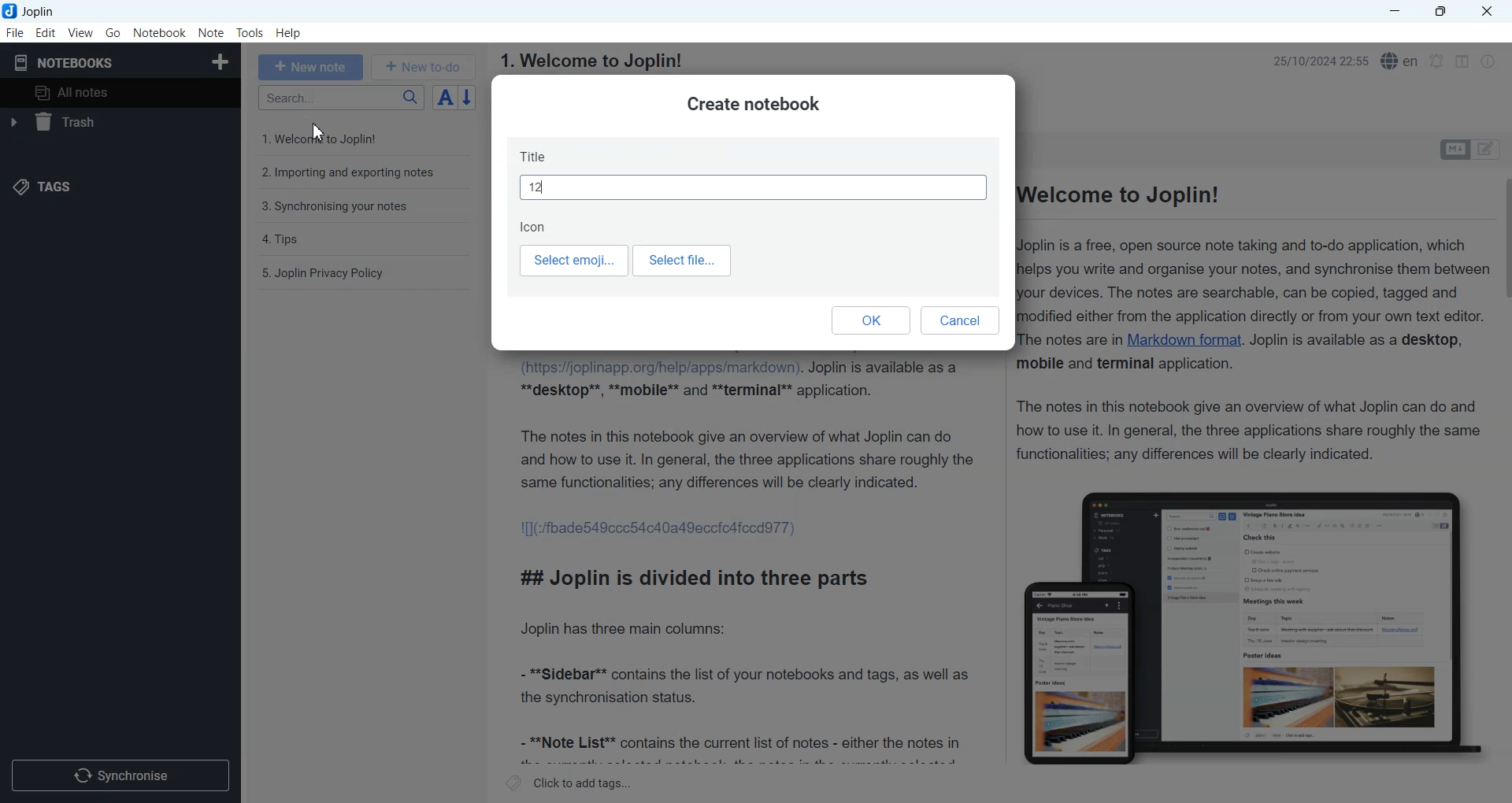  I want to click on Reverse sort order, so click(469, 98).